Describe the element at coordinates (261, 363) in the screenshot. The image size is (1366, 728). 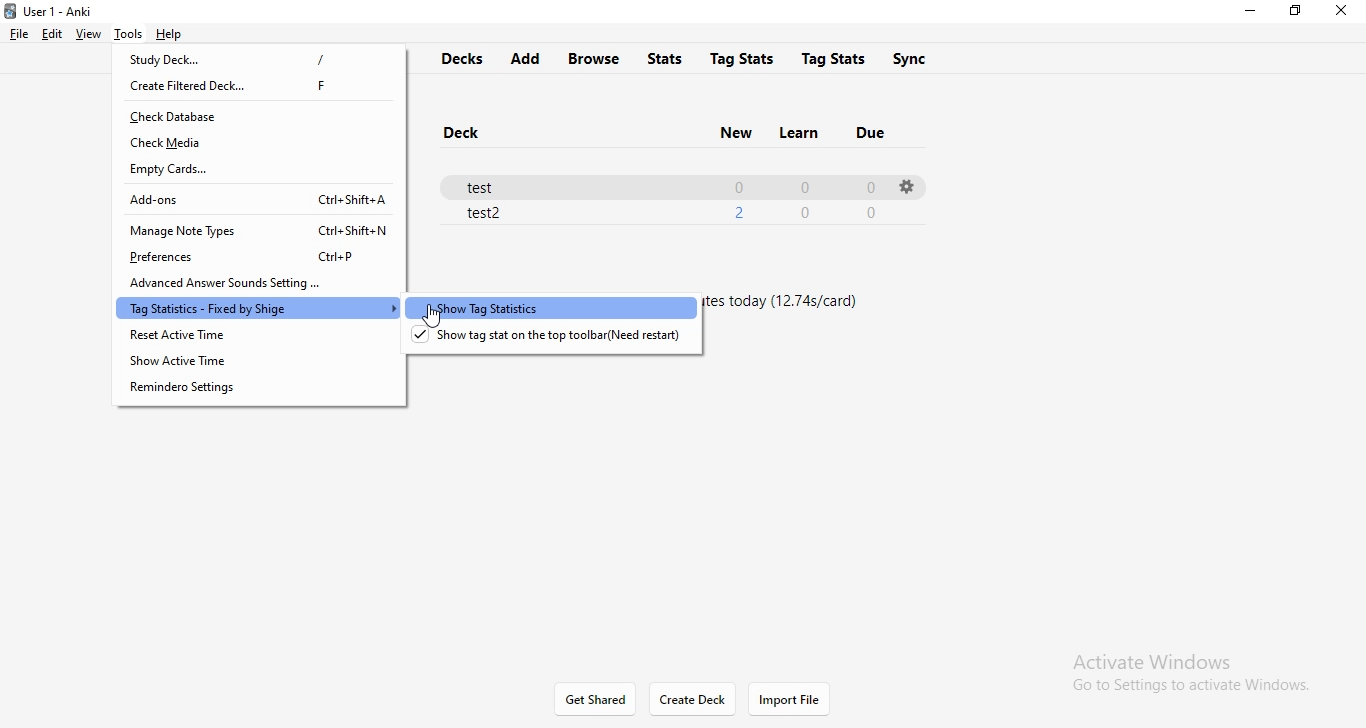
I see `show active time` at that location.